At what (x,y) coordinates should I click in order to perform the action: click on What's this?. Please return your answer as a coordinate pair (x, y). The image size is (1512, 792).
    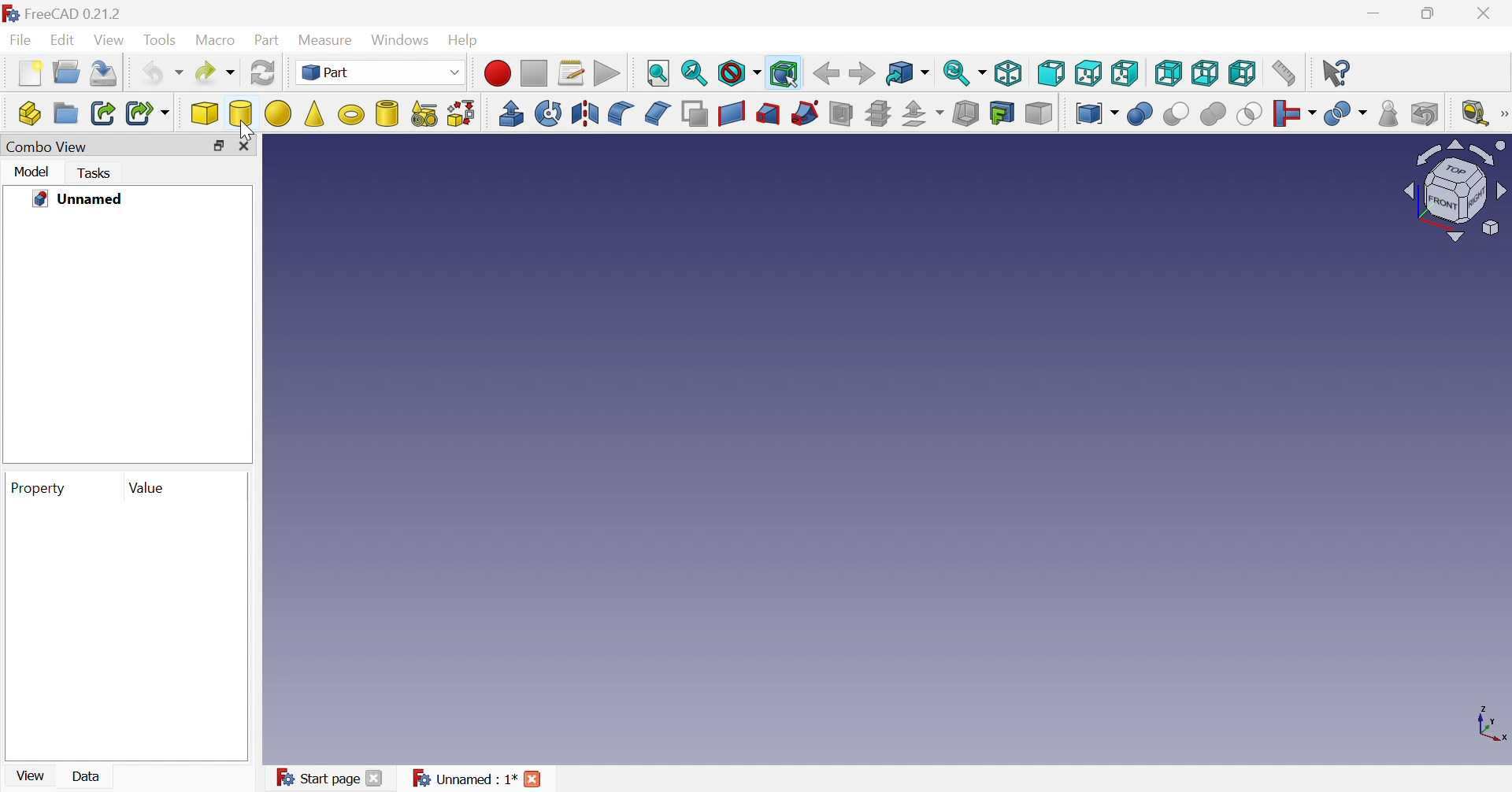
    Looking at the image, I should click on (1337, 72).